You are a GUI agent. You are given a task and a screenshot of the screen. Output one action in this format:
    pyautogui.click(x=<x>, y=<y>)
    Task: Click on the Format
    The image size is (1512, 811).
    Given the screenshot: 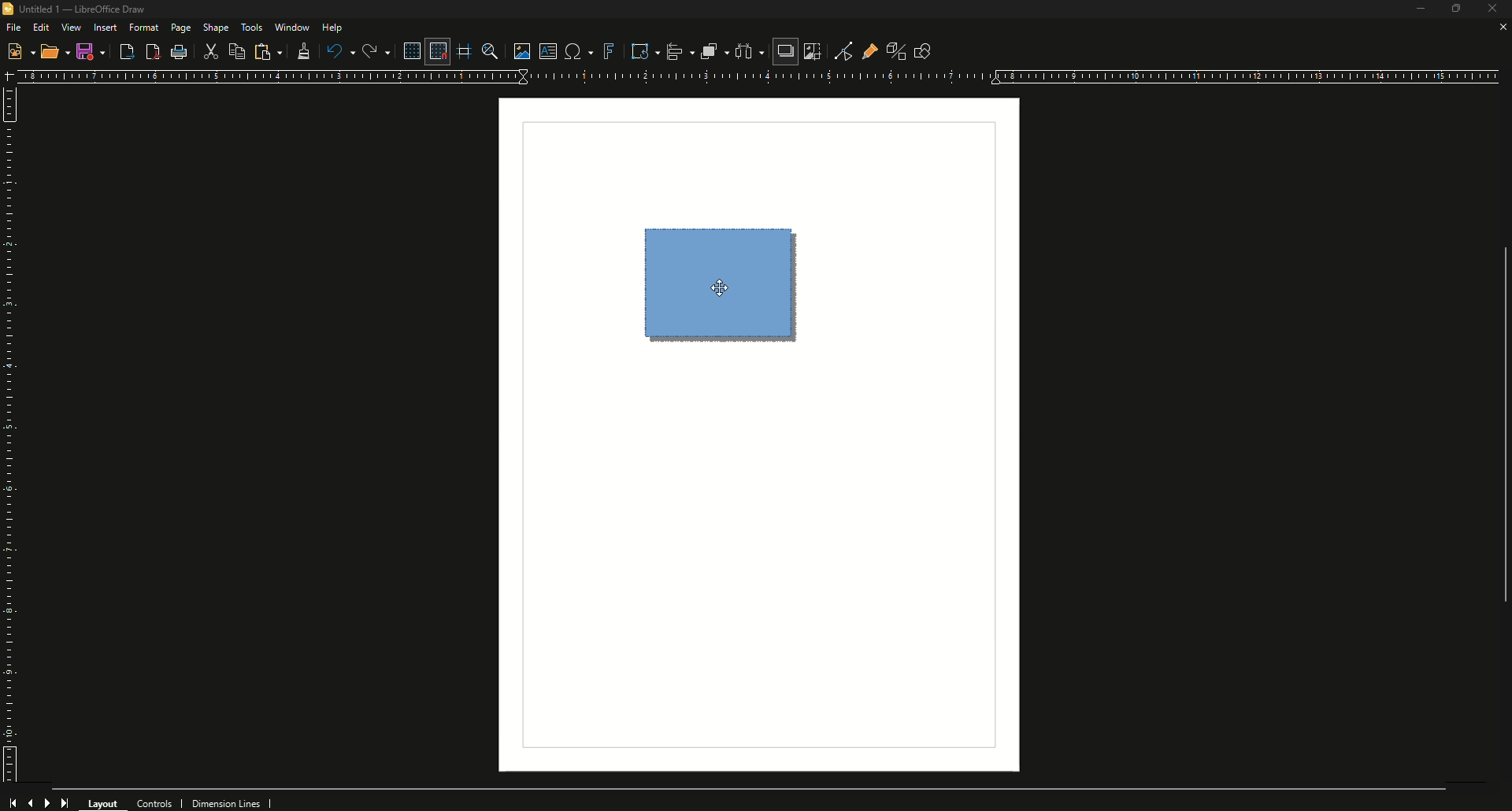 What is the action you would take?
    pyautogui.click(x=144, y=28)
    